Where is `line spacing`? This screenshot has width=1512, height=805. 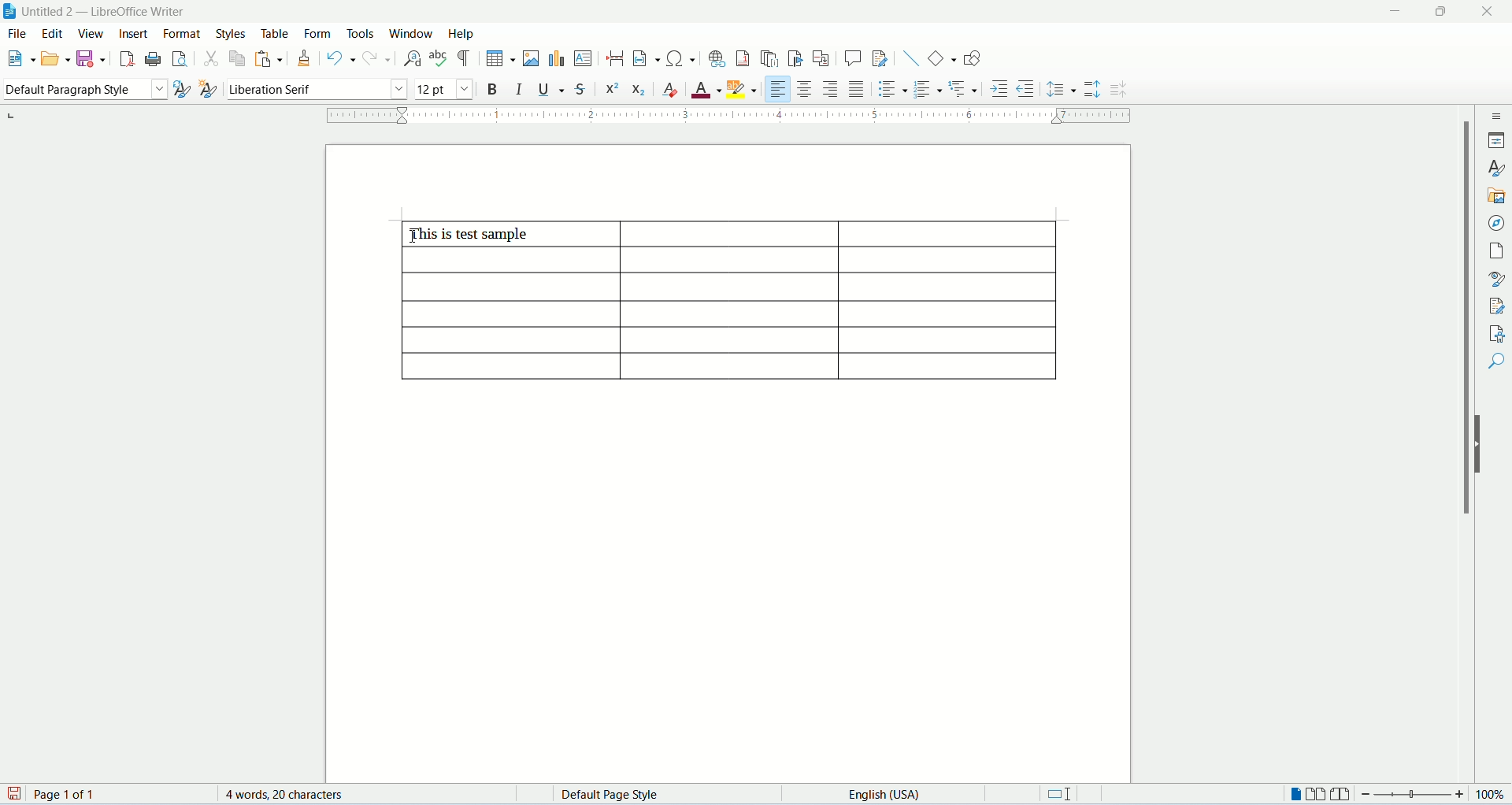
line spacing is located at coordinates (1062, 89).